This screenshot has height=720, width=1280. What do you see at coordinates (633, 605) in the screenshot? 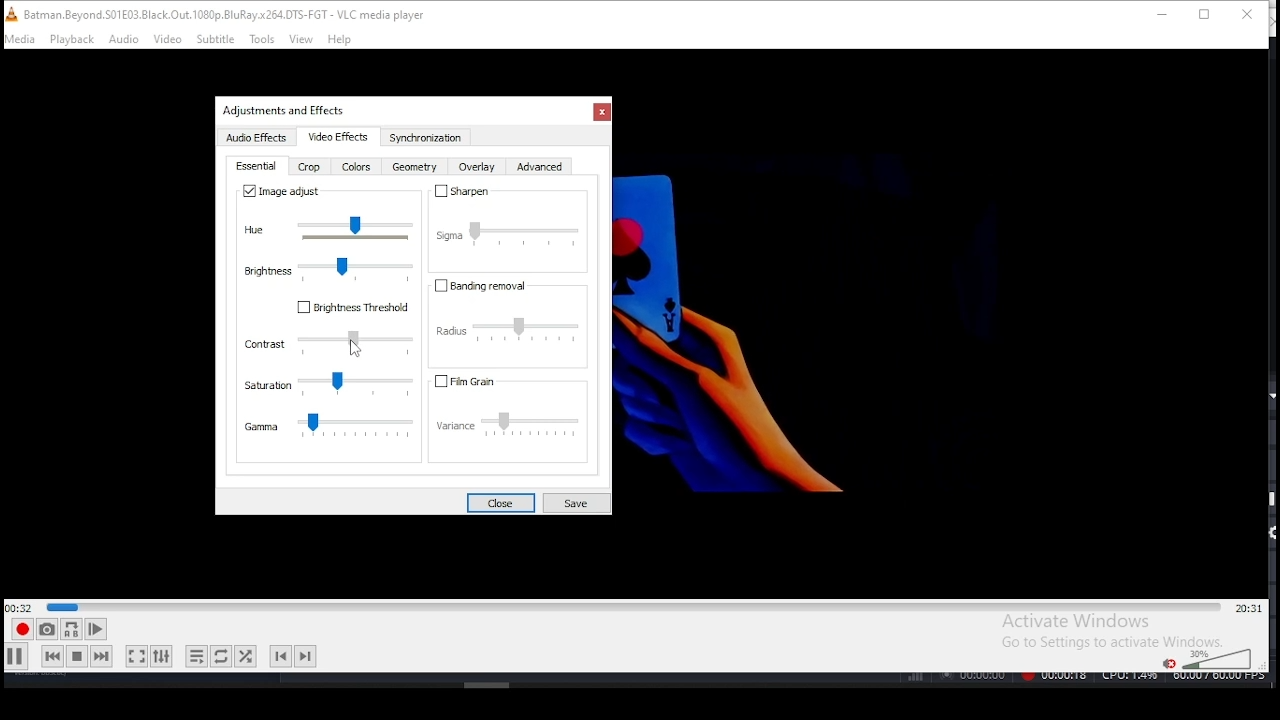
I see `seek bar` at bounding box center [633, 605].